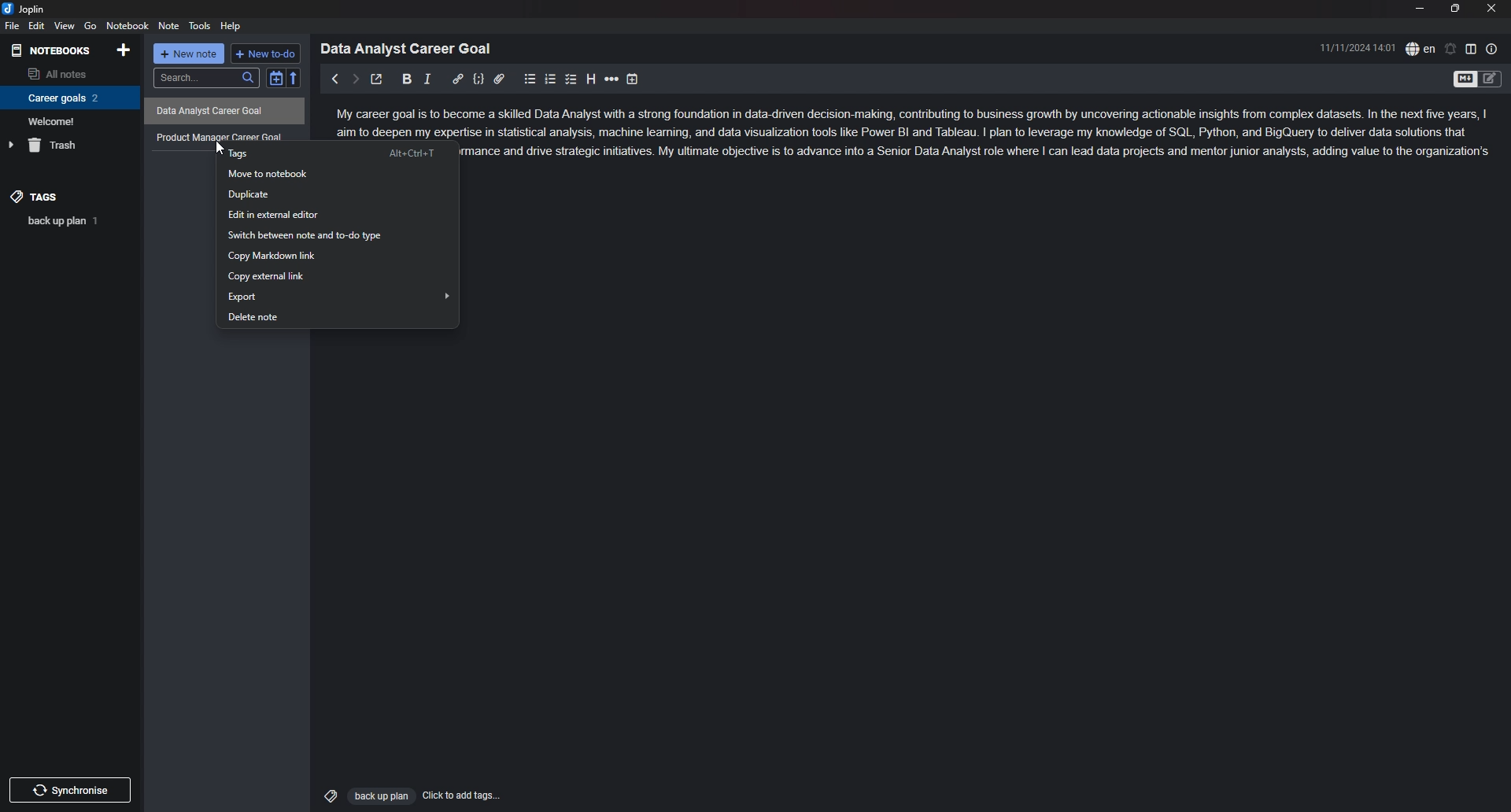 The height and width of the screenshot is (812, 1511). Describe the element at coordinates (231, 27) in the screenshot. I see `help` at that location.